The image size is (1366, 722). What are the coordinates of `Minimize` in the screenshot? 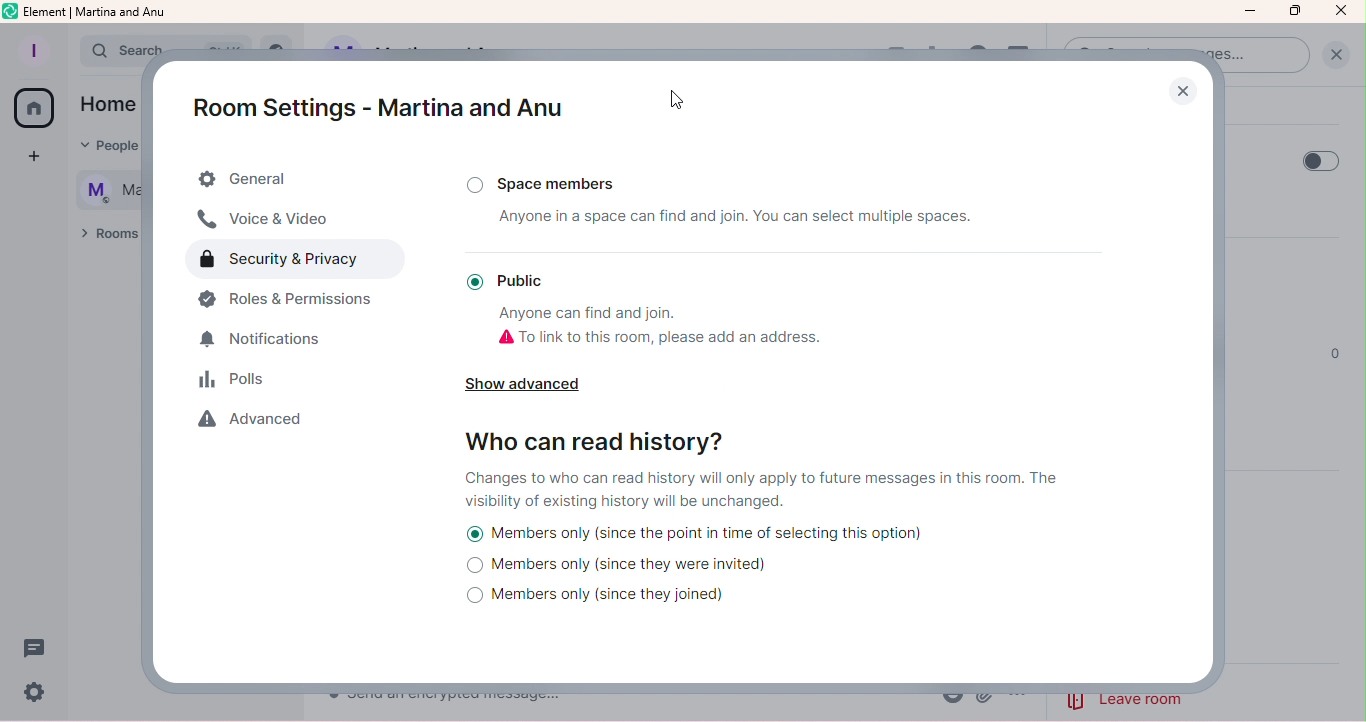 It's located at (1251, 14).